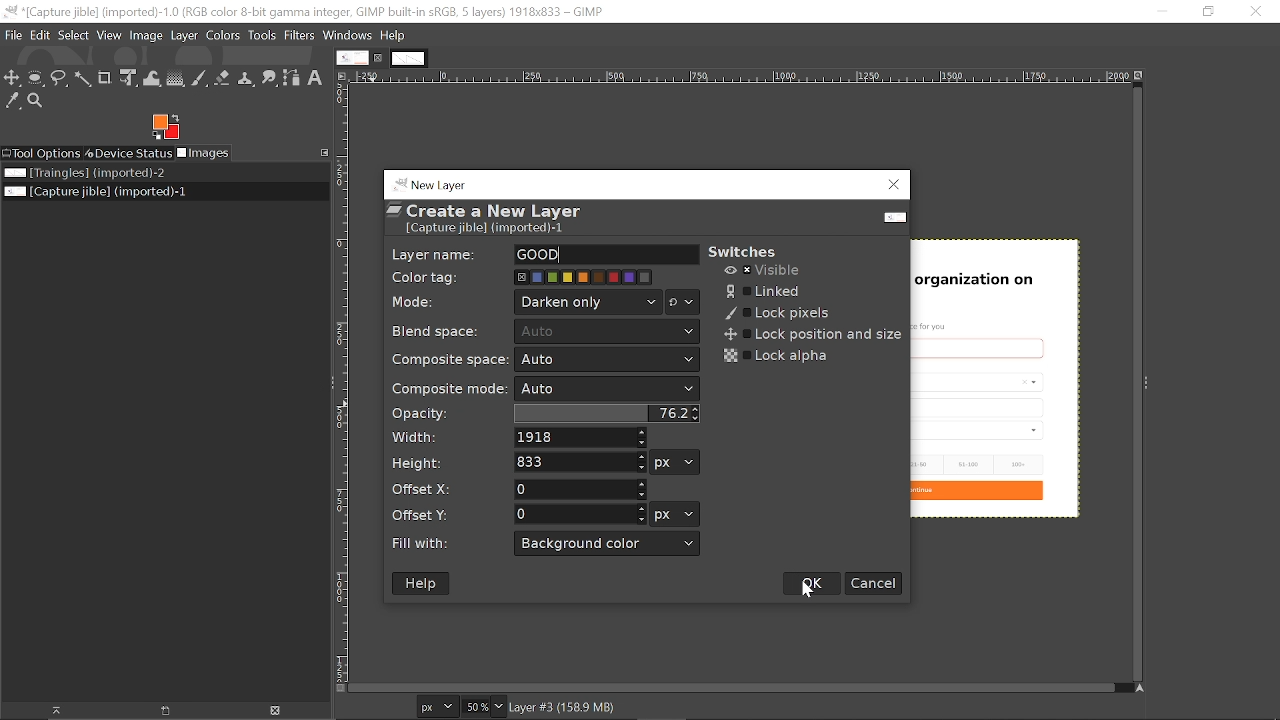 The width and height of the screenshot is (1280, 720). What do you see at coordinates (1207, 13) in the screenshot?
I see `Restore down` at bounding box center [1207, 13].